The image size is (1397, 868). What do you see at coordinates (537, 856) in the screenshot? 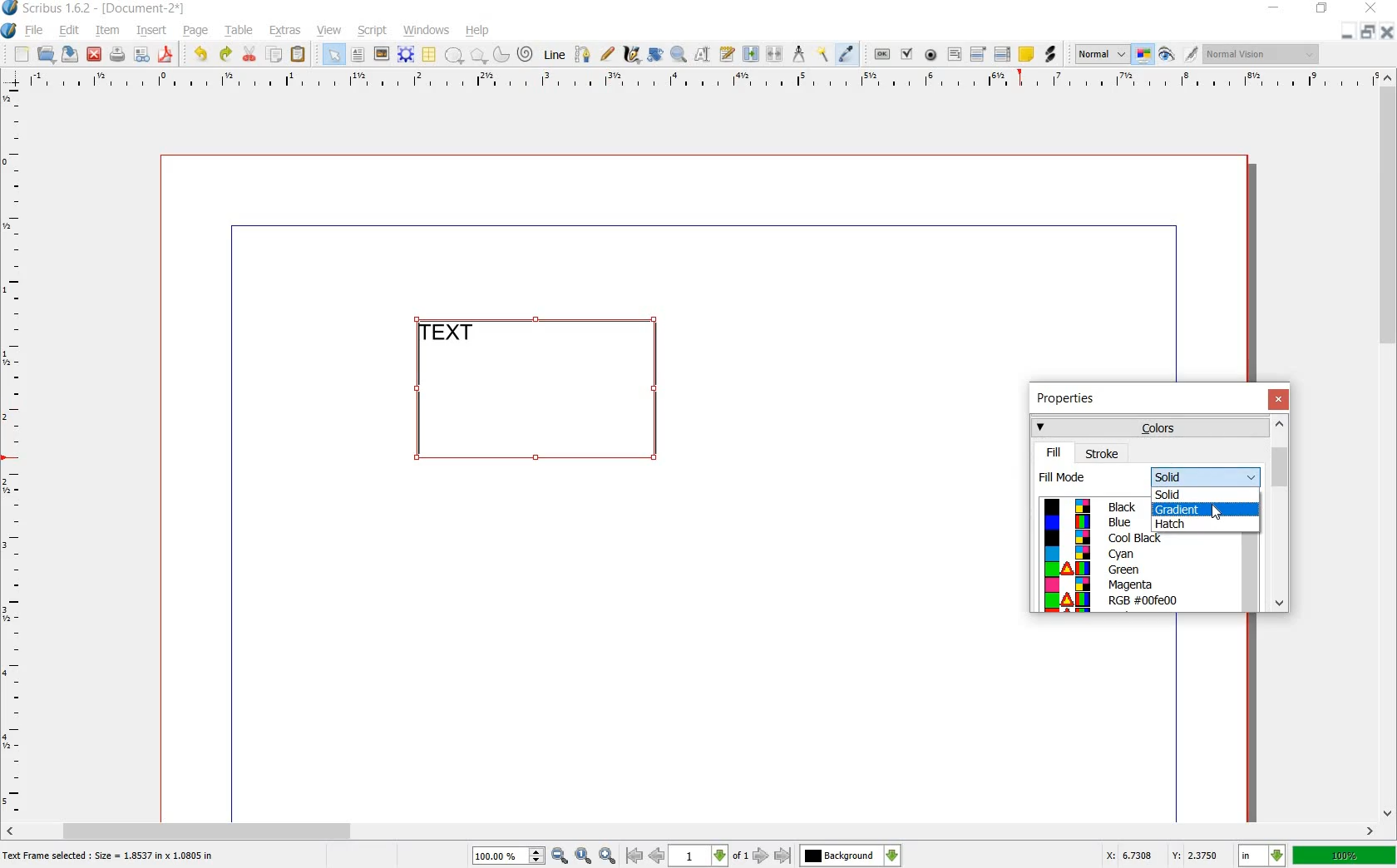
I see `Increase or decrease zoom value` at bounding box center [537, 856].